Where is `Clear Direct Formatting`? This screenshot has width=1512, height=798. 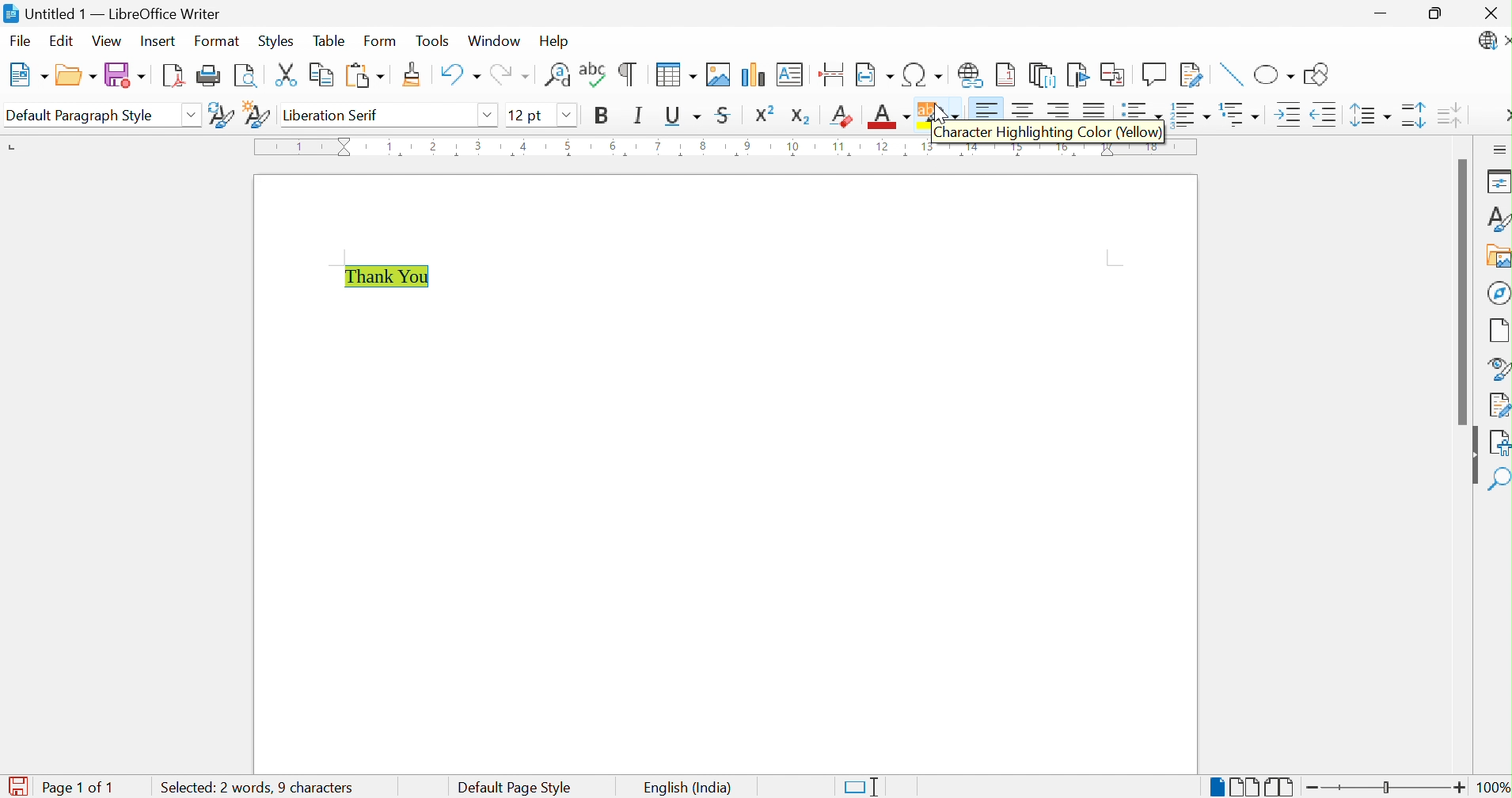
Clear Direct Formatting is located at coordinates (843, 117).